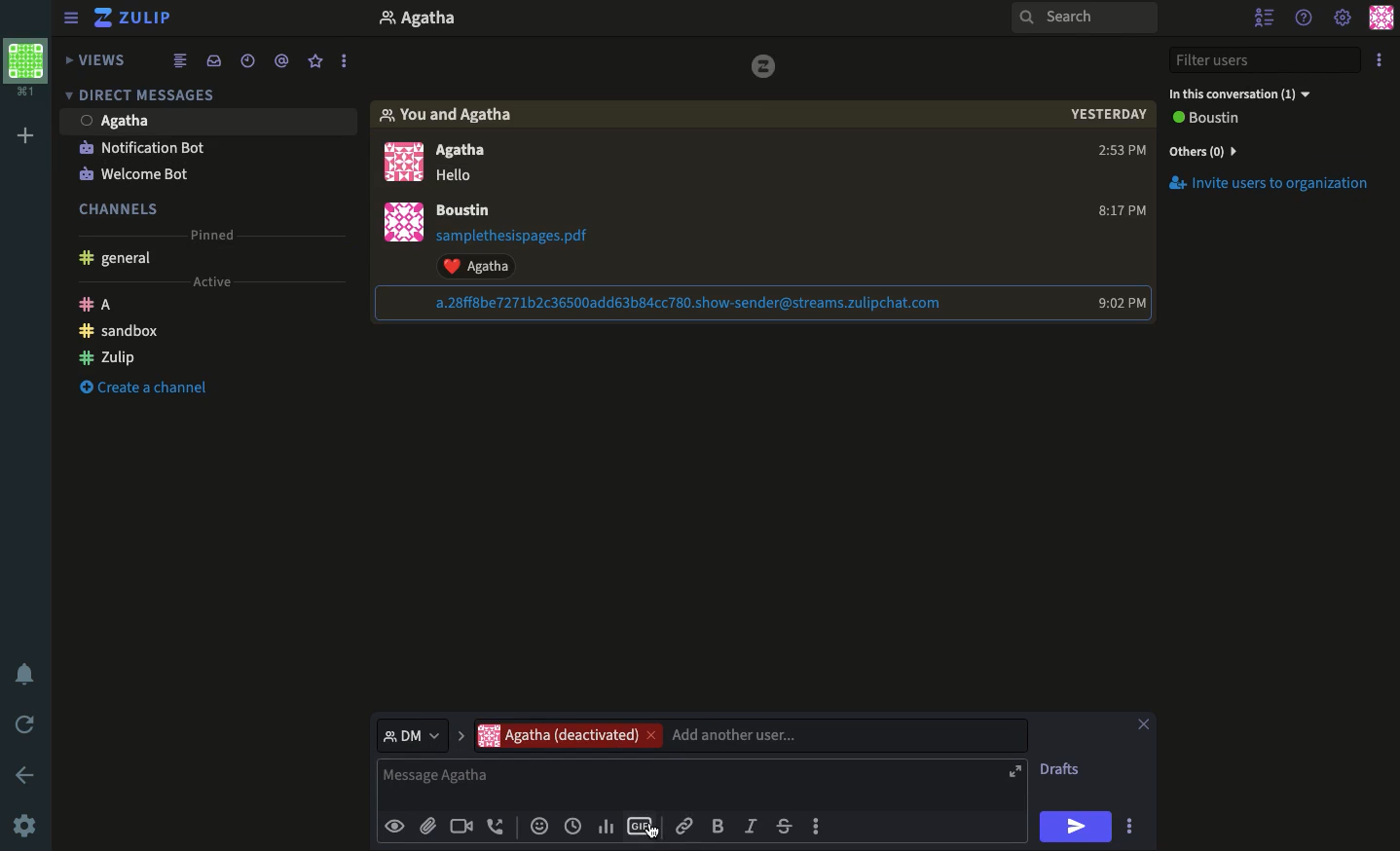 This screenshot has width=1400, height=851. I want to click on Send, so click(1076, 826).